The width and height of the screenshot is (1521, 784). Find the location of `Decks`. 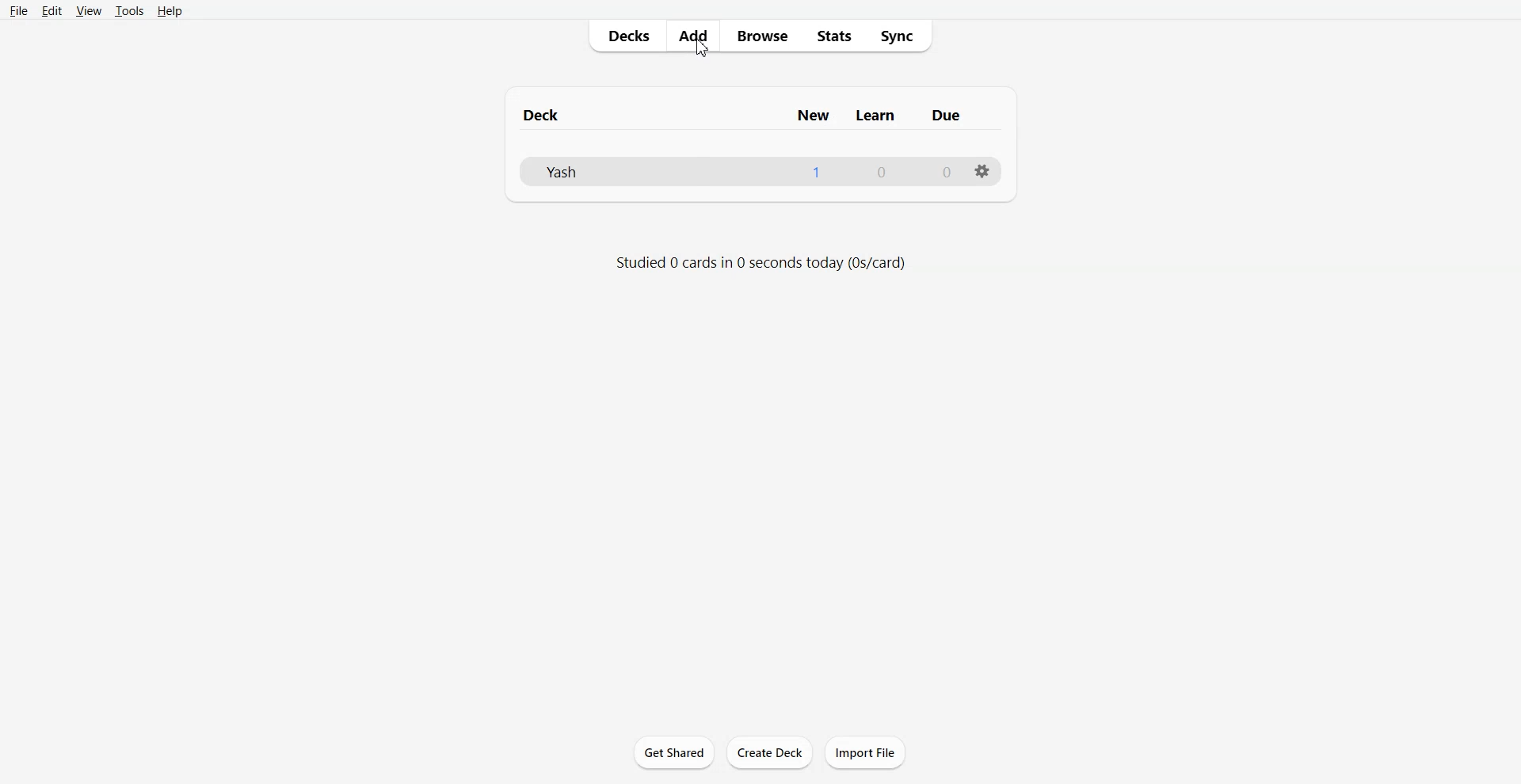

Decks is located at coordinates (626, 36).